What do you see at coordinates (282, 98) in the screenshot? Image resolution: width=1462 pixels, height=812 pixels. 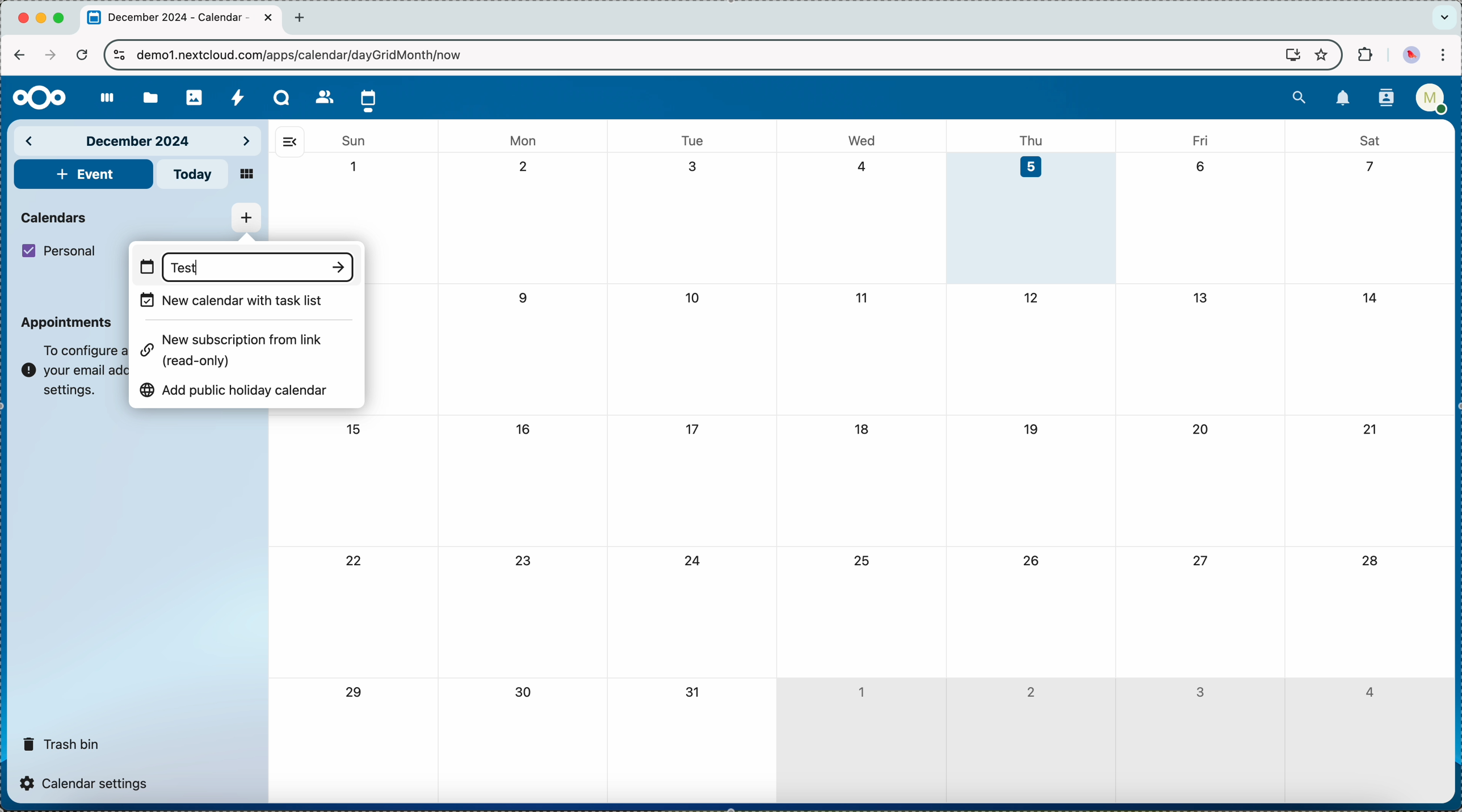 I see `Talk` at bounding box center [282, 98].